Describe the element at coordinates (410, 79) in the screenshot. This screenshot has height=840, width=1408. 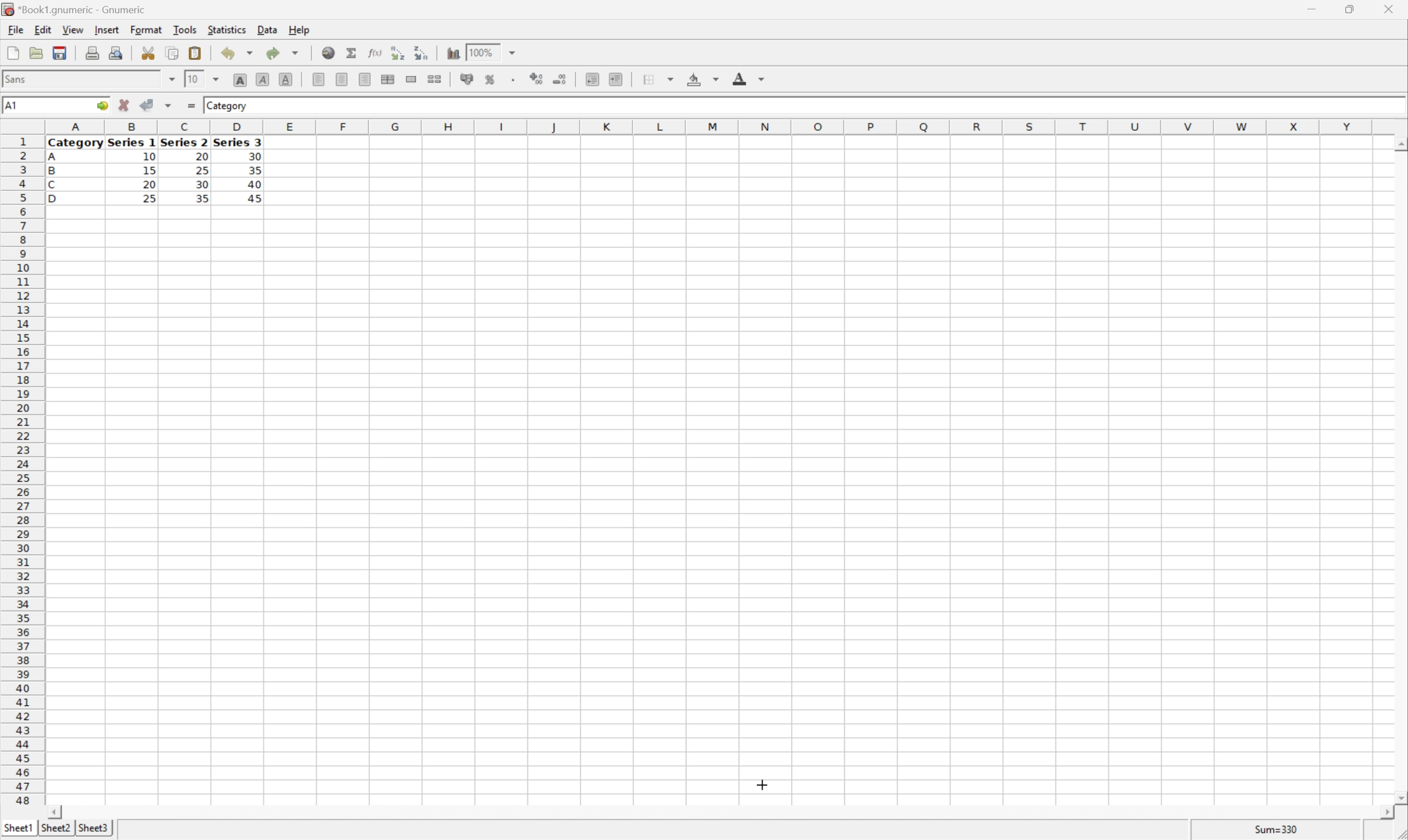
I see `Merge a range of cells` at that location.